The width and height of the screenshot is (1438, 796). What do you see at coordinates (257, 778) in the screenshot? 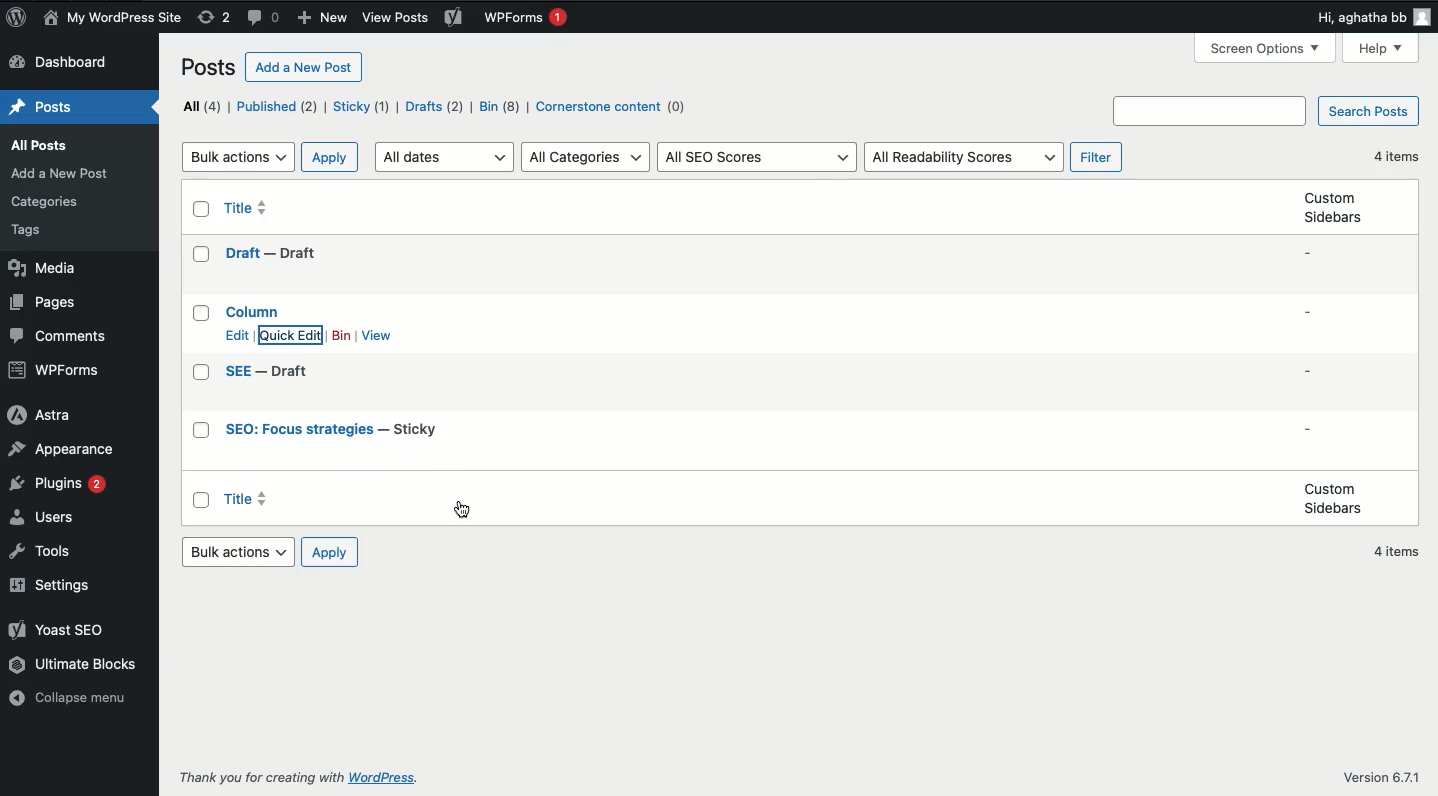
I see `` at bounding box center [257, 778].